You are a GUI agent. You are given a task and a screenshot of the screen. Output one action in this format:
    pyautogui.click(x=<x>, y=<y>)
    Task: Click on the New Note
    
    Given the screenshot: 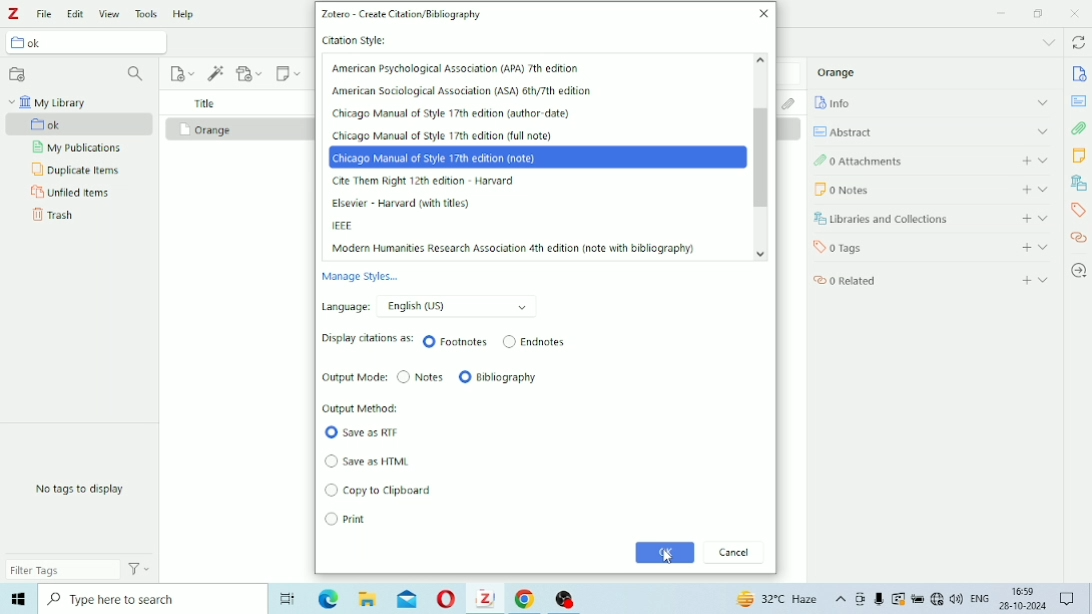 What is the action you would take?
    pyautogui.click(x=289, y=73)
    